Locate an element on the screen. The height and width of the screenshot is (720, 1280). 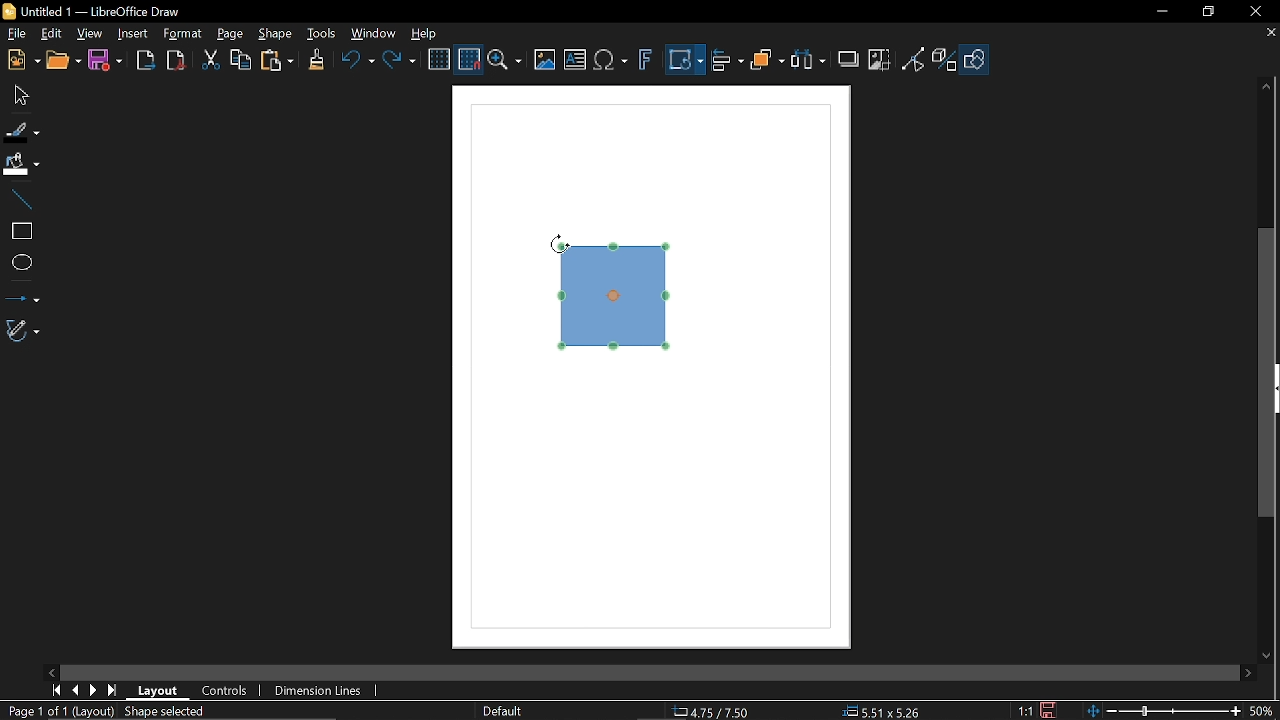
Curves and polygons is located at coordinates (21, 331).